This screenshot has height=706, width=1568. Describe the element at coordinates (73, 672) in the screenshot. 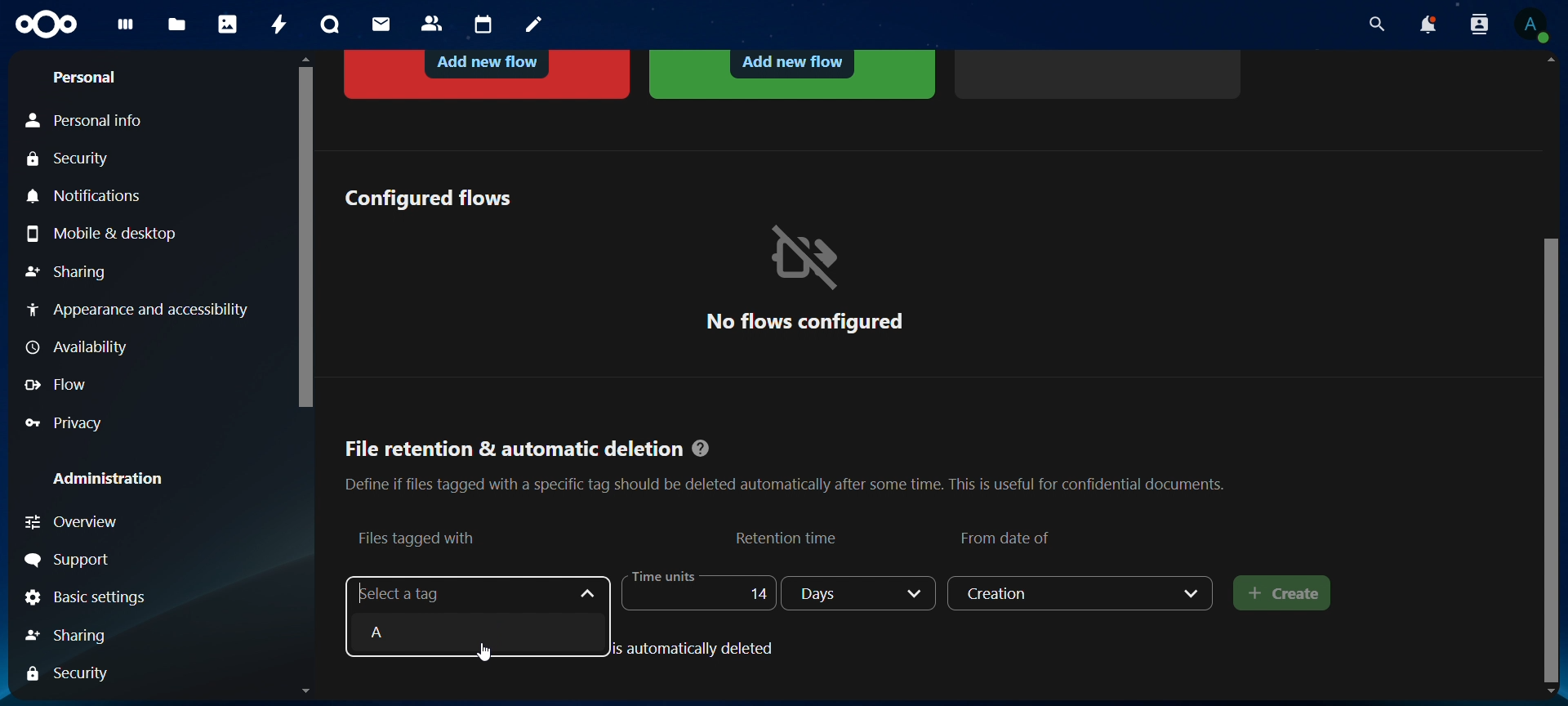

I see `security` at that location.